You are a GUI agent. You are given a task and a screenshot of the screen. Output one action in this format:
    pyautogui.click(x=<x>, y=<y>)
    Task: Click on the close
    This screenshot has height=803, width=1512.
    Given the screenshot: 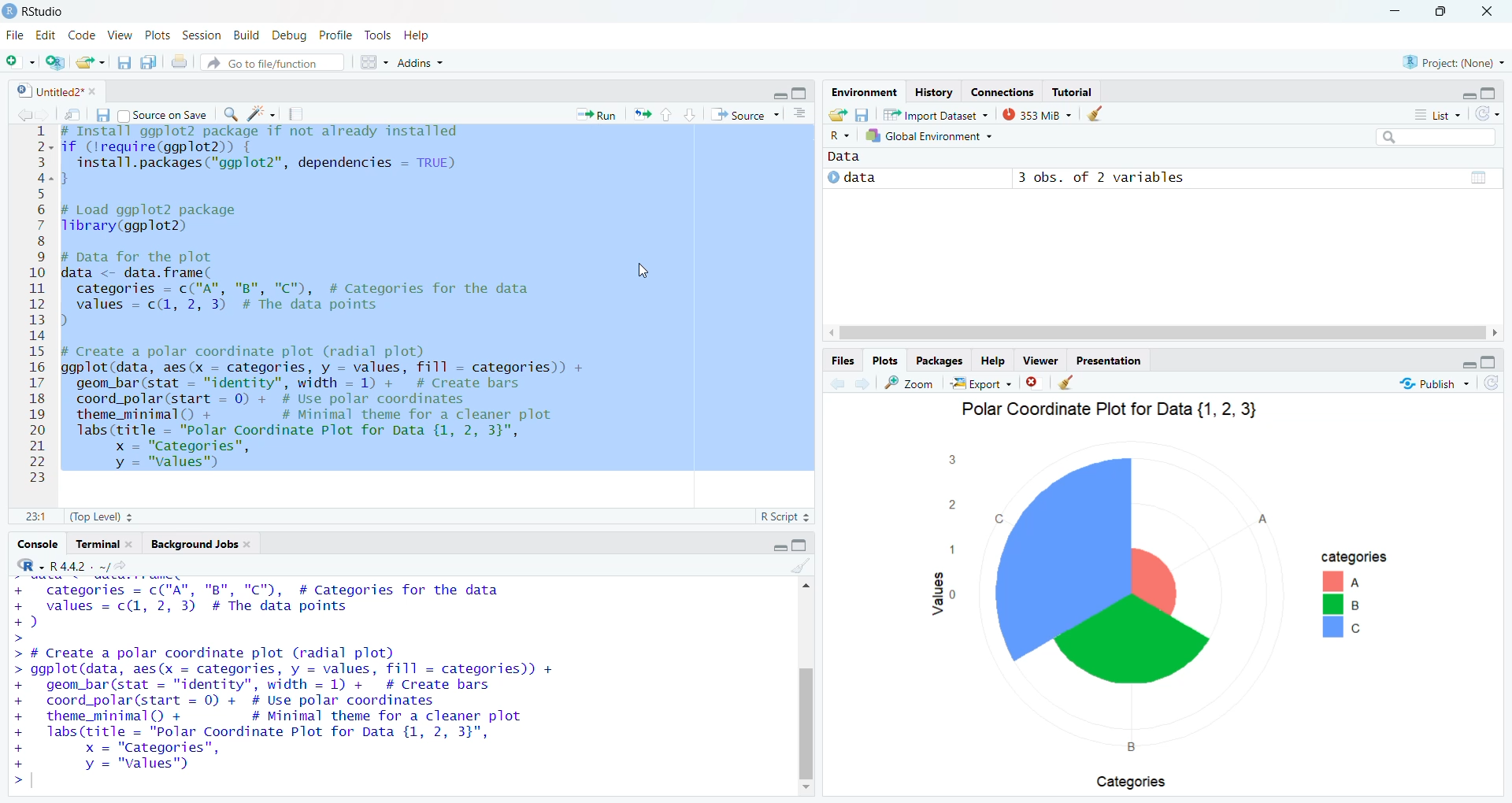 What is the action you would take?
    pyautogui.click(x=1481, y=11)
    